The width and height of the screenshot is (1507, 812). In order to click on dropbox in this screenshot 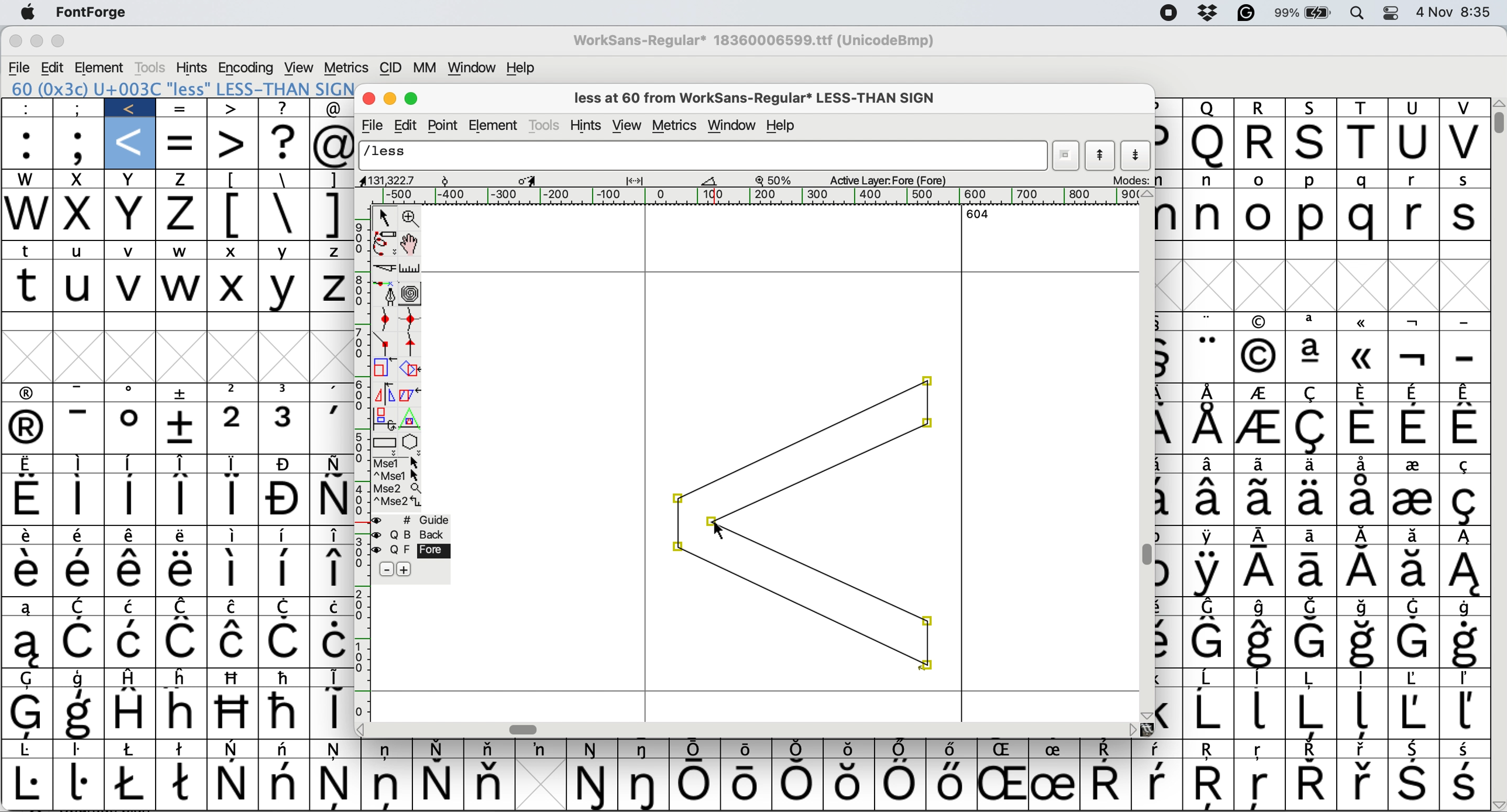, I will do `click(1209, 13)`.